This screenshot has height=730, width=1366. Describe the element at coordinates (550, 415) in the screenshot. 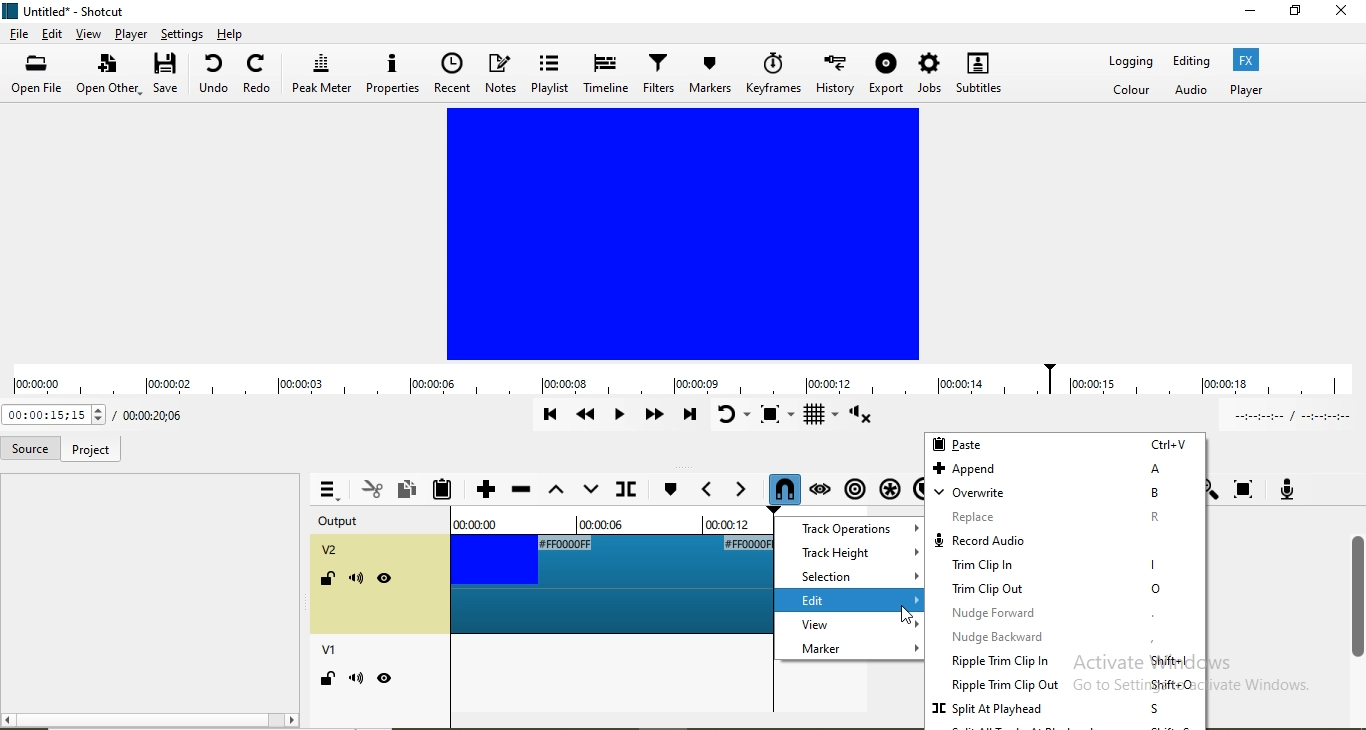

I see `Skip to previous` at that location.